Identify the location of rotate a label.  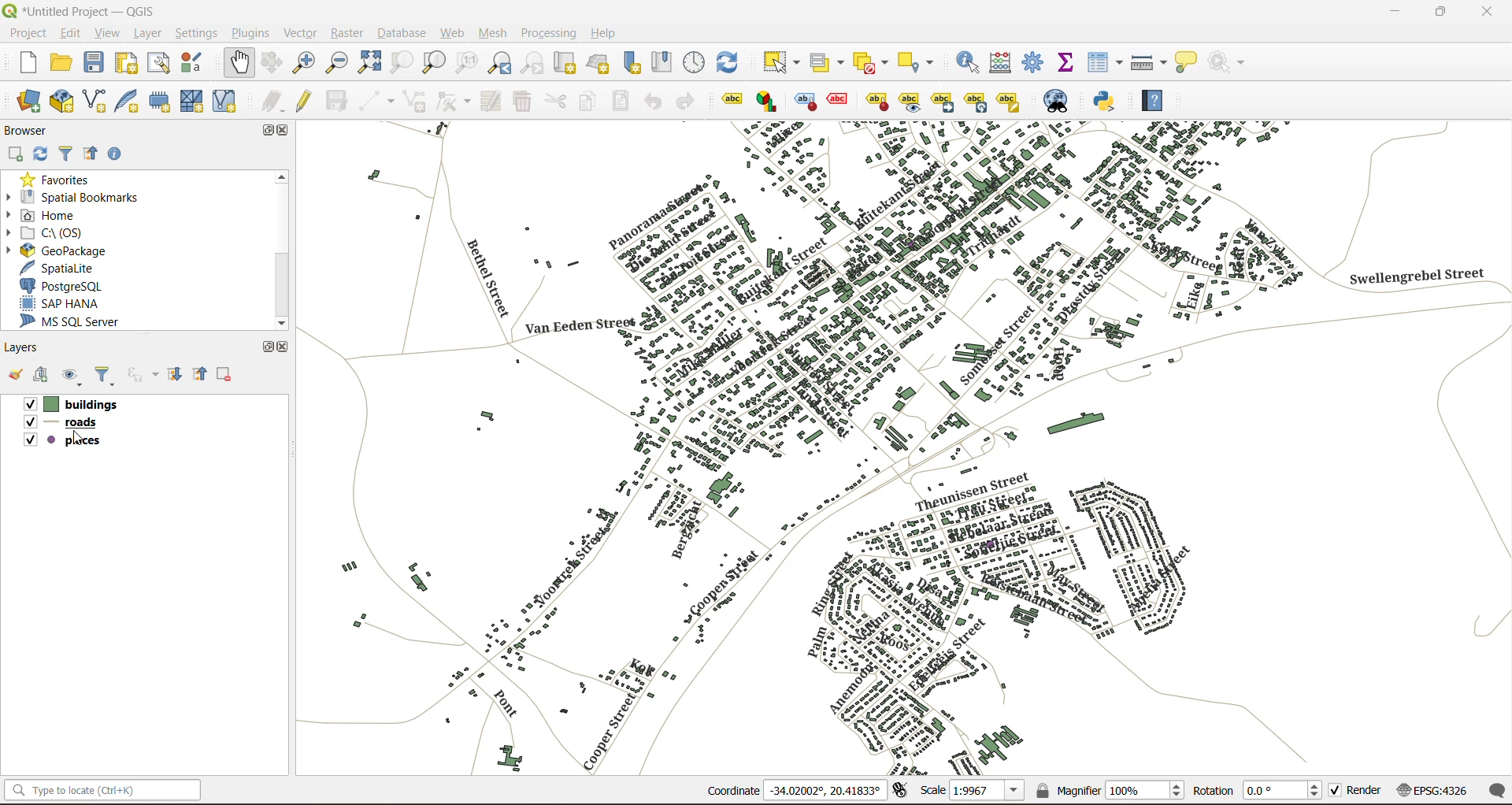
(976, 102).